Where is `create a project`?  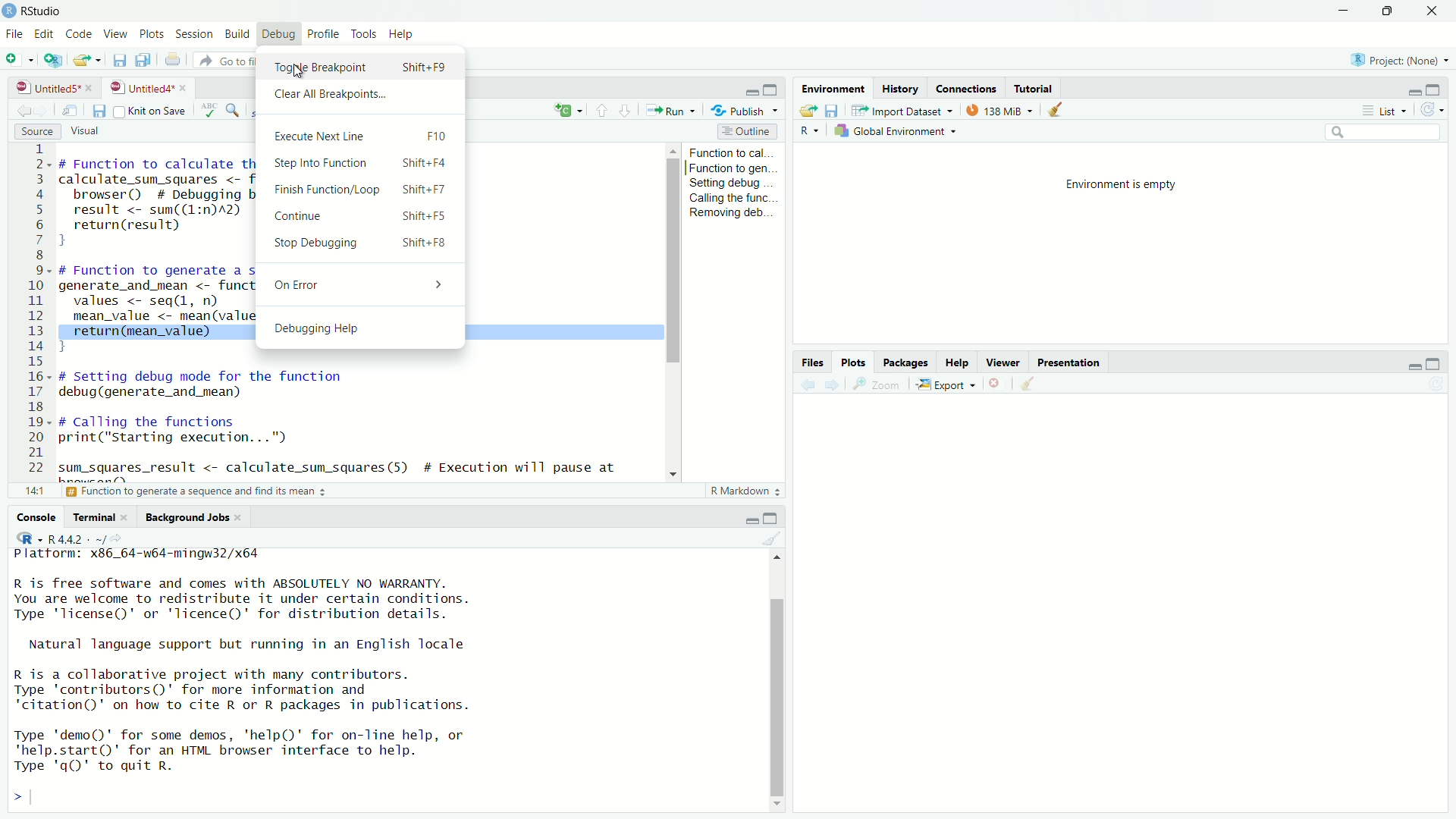
create a project is located at coordinates (52, 58).